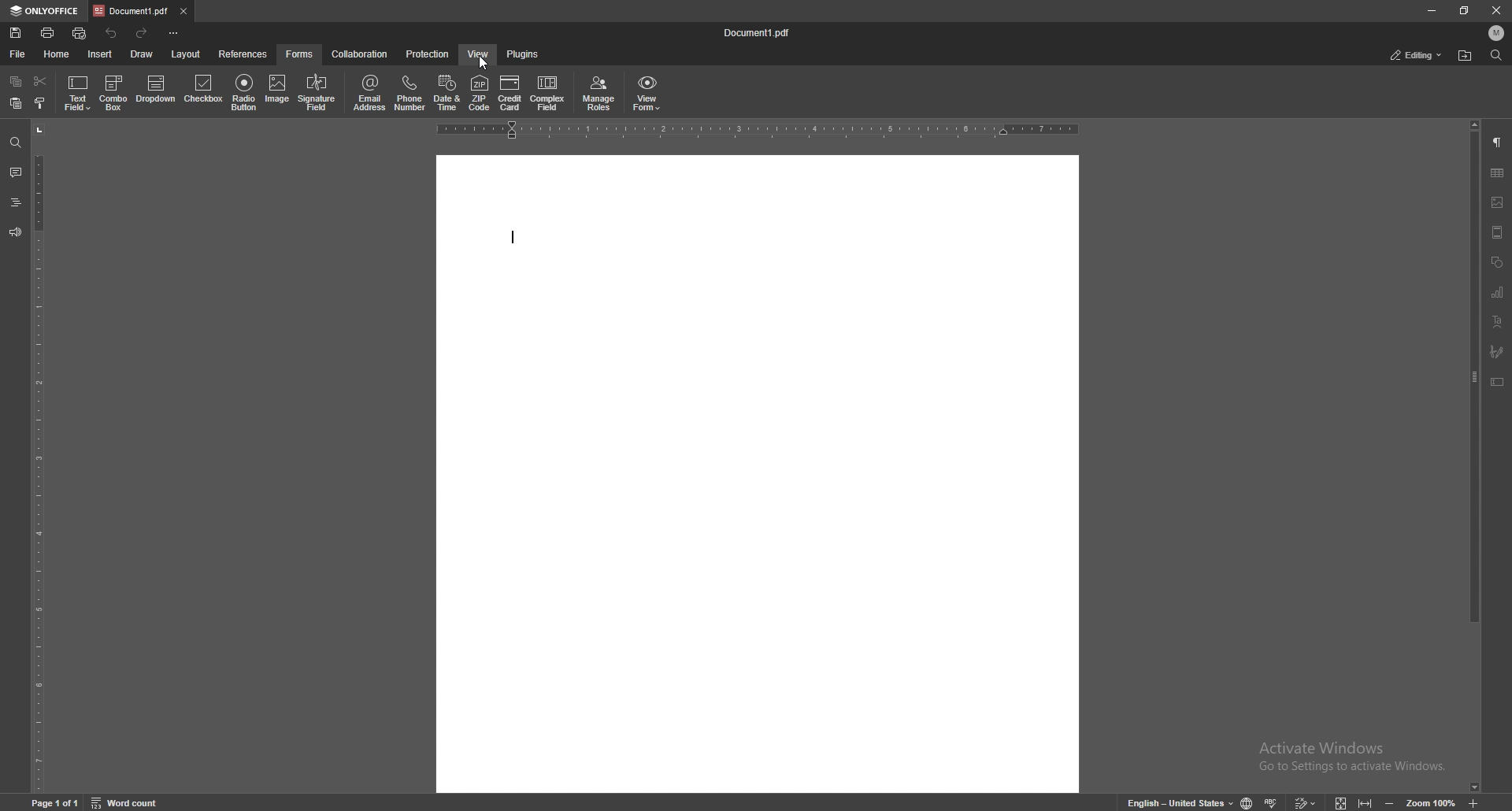 Image resolution: width=1512 pixels, height=811 pixels. What do you see at coordinates (598, 93) in the screenshot?
I see `manage roles` at bounding box center [598, 93].